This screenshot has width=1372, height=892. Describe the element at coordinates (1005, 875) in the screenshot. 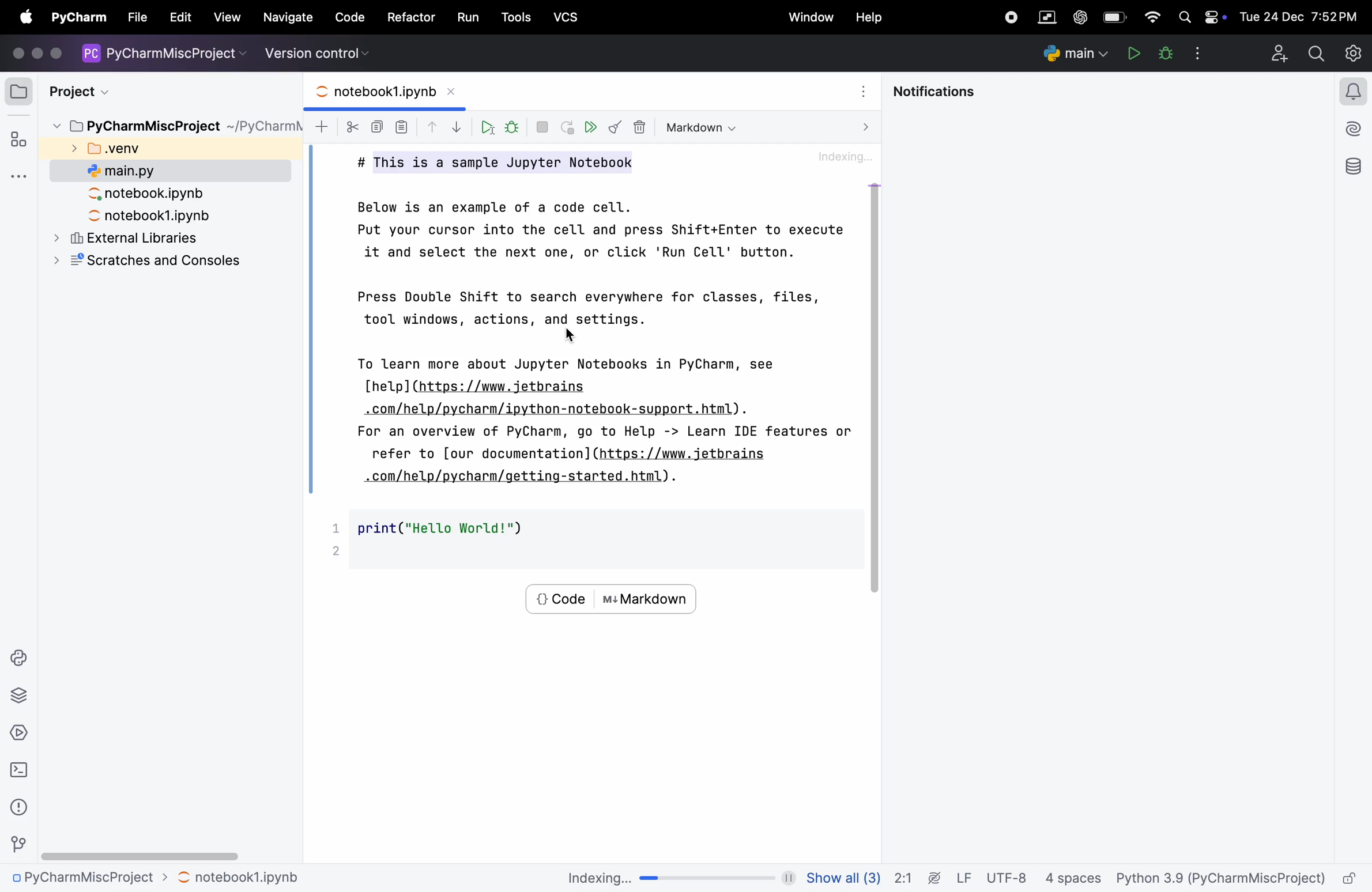

I see `Utf -8` at that location.